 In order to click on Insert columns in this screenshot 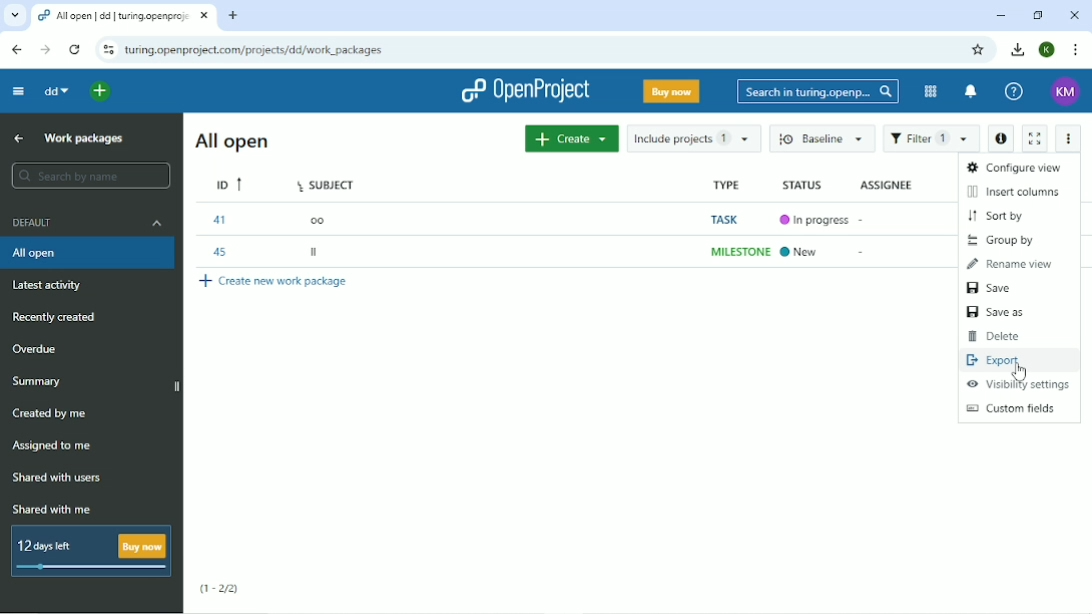, I will do `click(1015, 191)`.